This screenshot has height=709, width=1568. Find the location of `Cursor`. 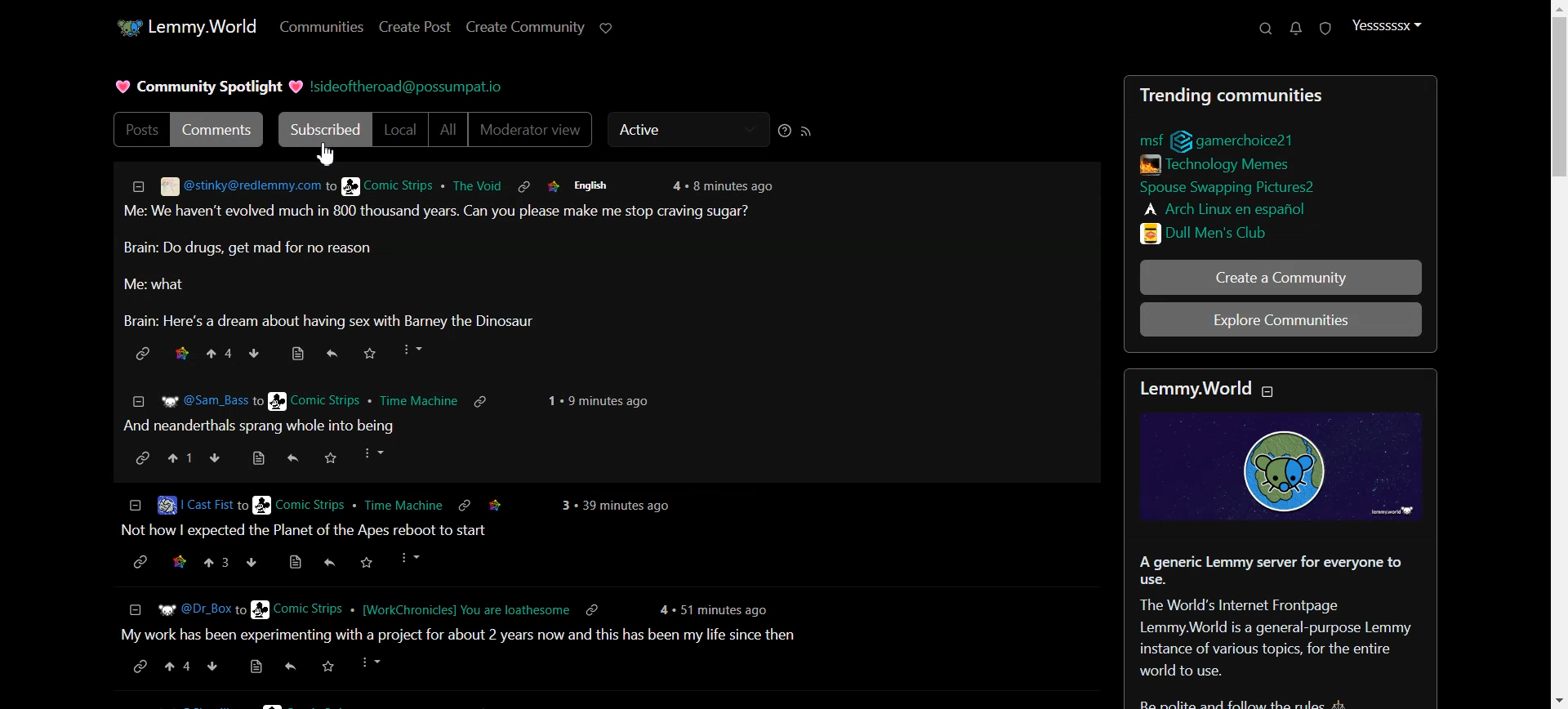

Cursor is located at coordinates (328, 154).